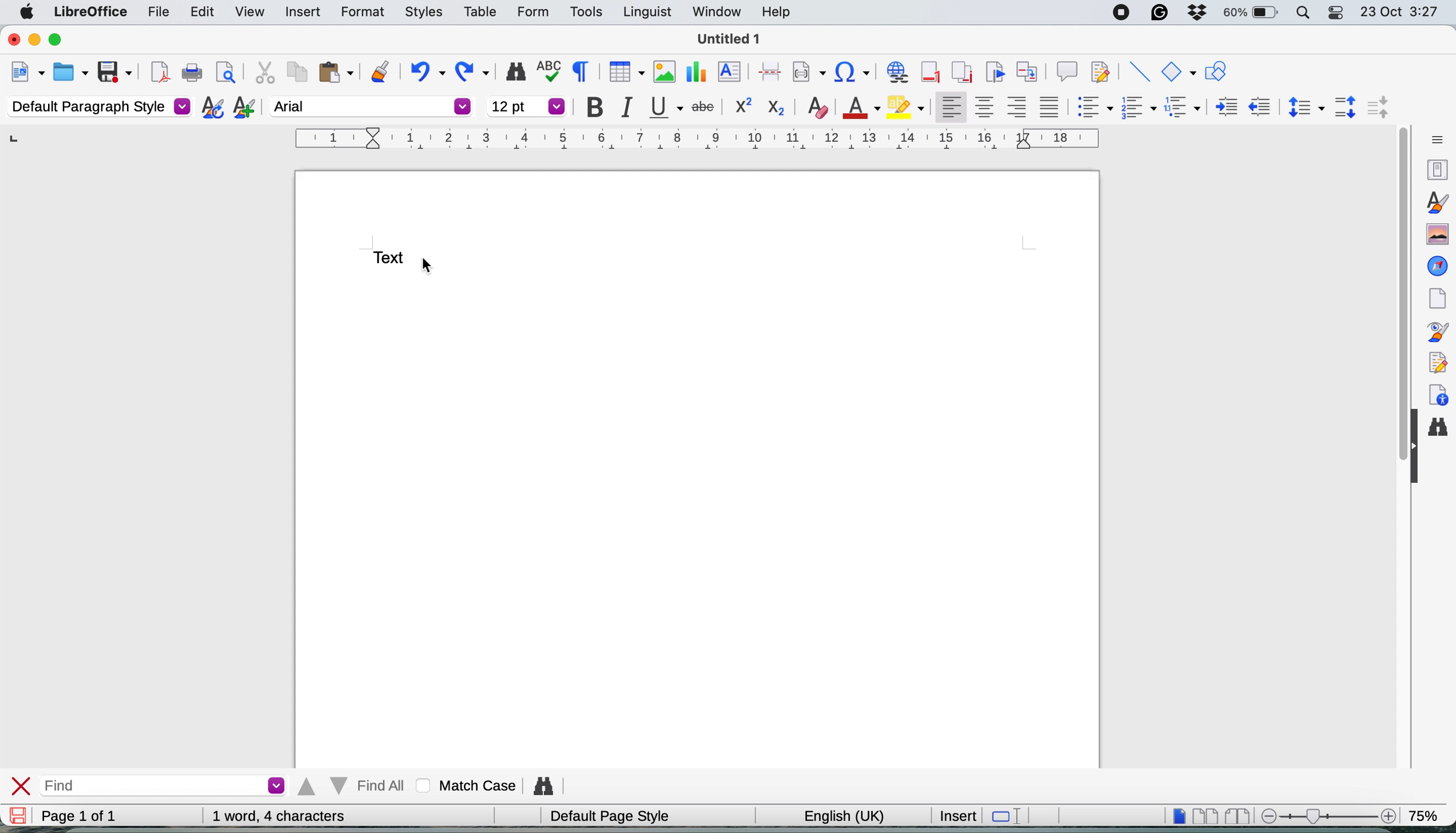 The height and width of the screenshot is (833, 1456). What do you see at coordinates (114, 71) in the screenshot?
I see `save` at bounding box center [114, 71].